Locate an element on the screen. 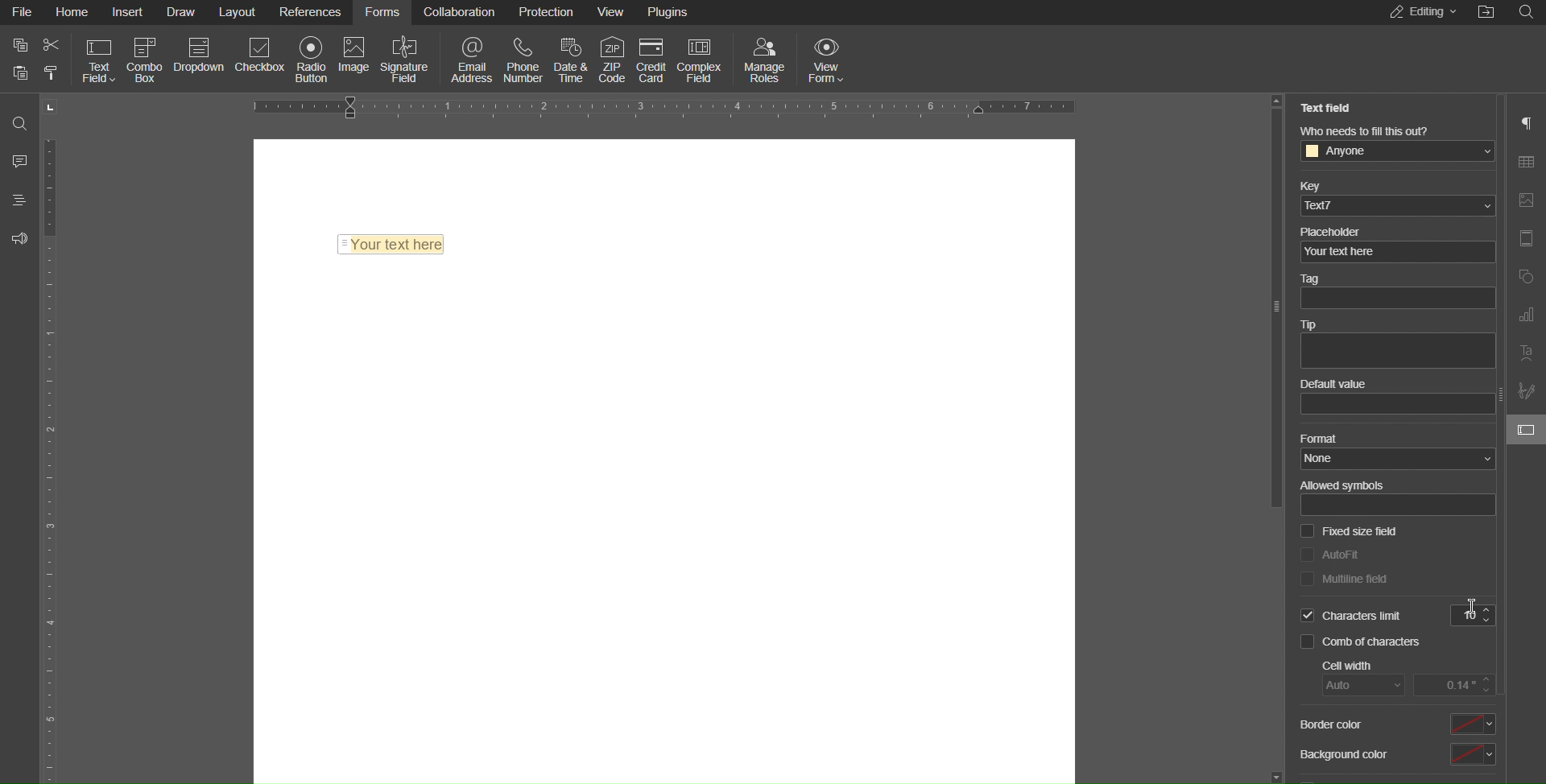 Image resolution: width=1546 pixels, height=784 pixels. Tag is located at coordinates (1395, 293).